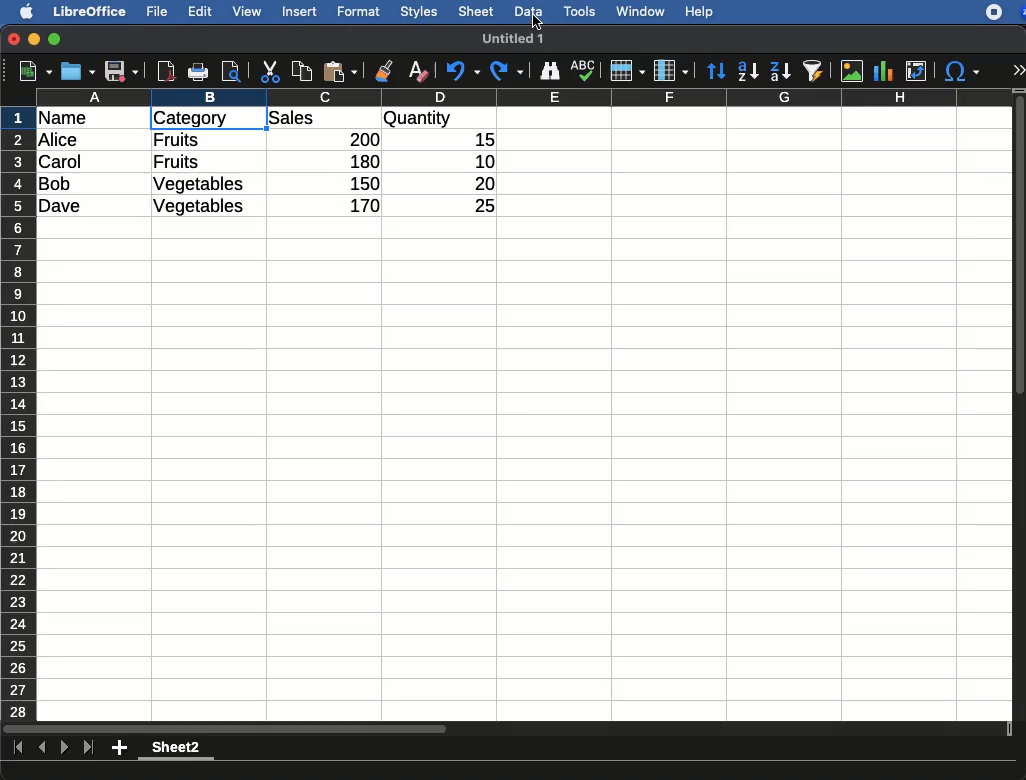 This screenshot has height=780, width=1026. What do you see at coordinates (64, 207) in the screenshot?
I see `Dave` at bounding box center [64, 207].